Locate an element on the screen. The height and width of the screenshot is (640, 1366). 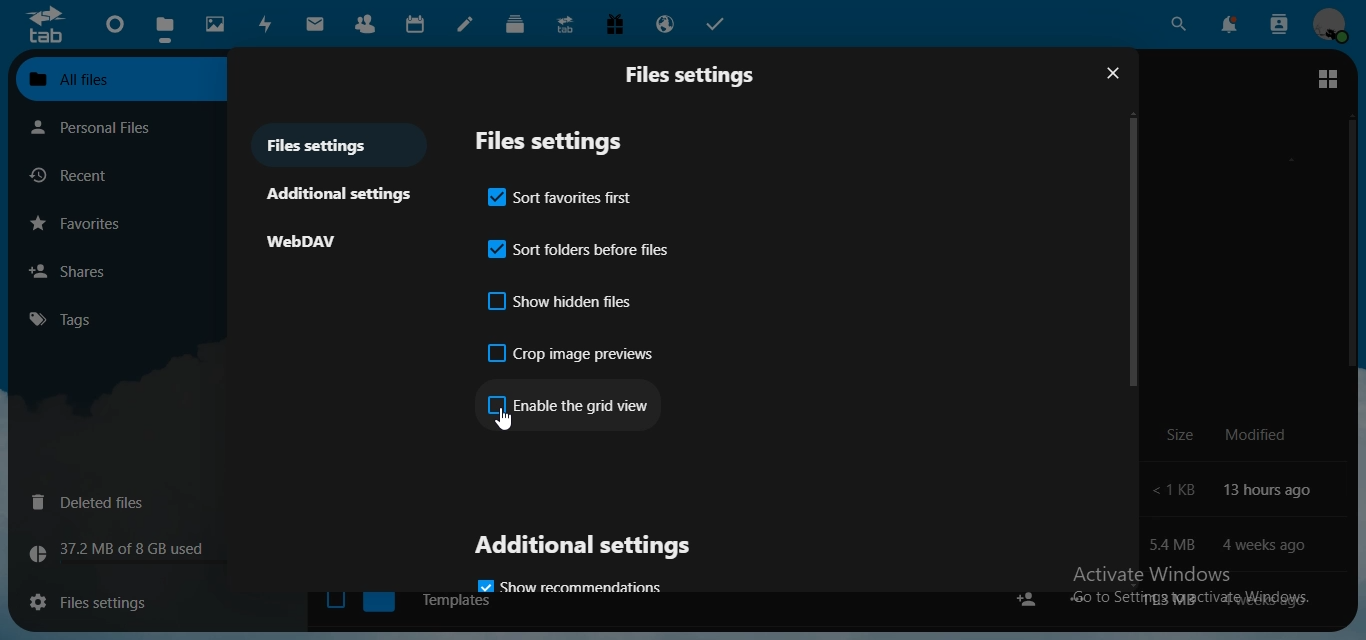
mail is located at coordinates (315, 24).